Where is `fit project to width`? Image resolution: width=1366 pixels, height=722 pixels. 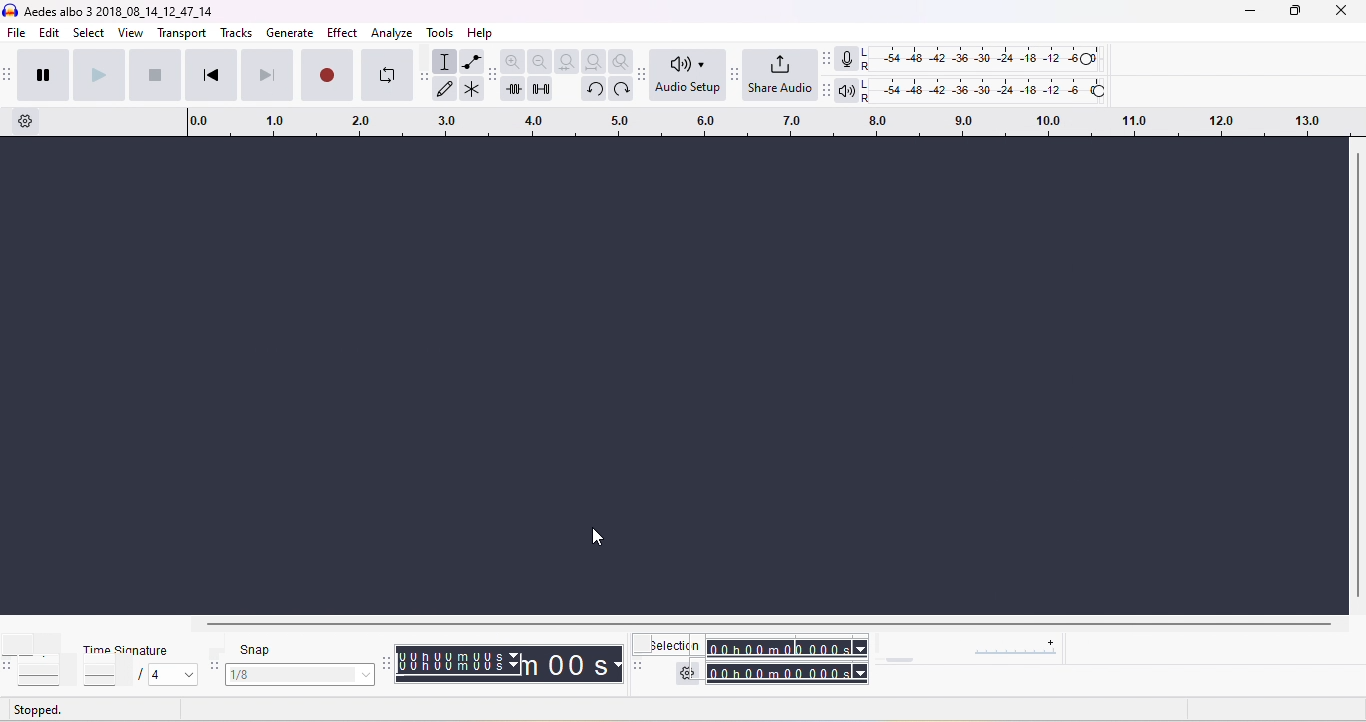 fit project to width is located at coordinates (596, 62).